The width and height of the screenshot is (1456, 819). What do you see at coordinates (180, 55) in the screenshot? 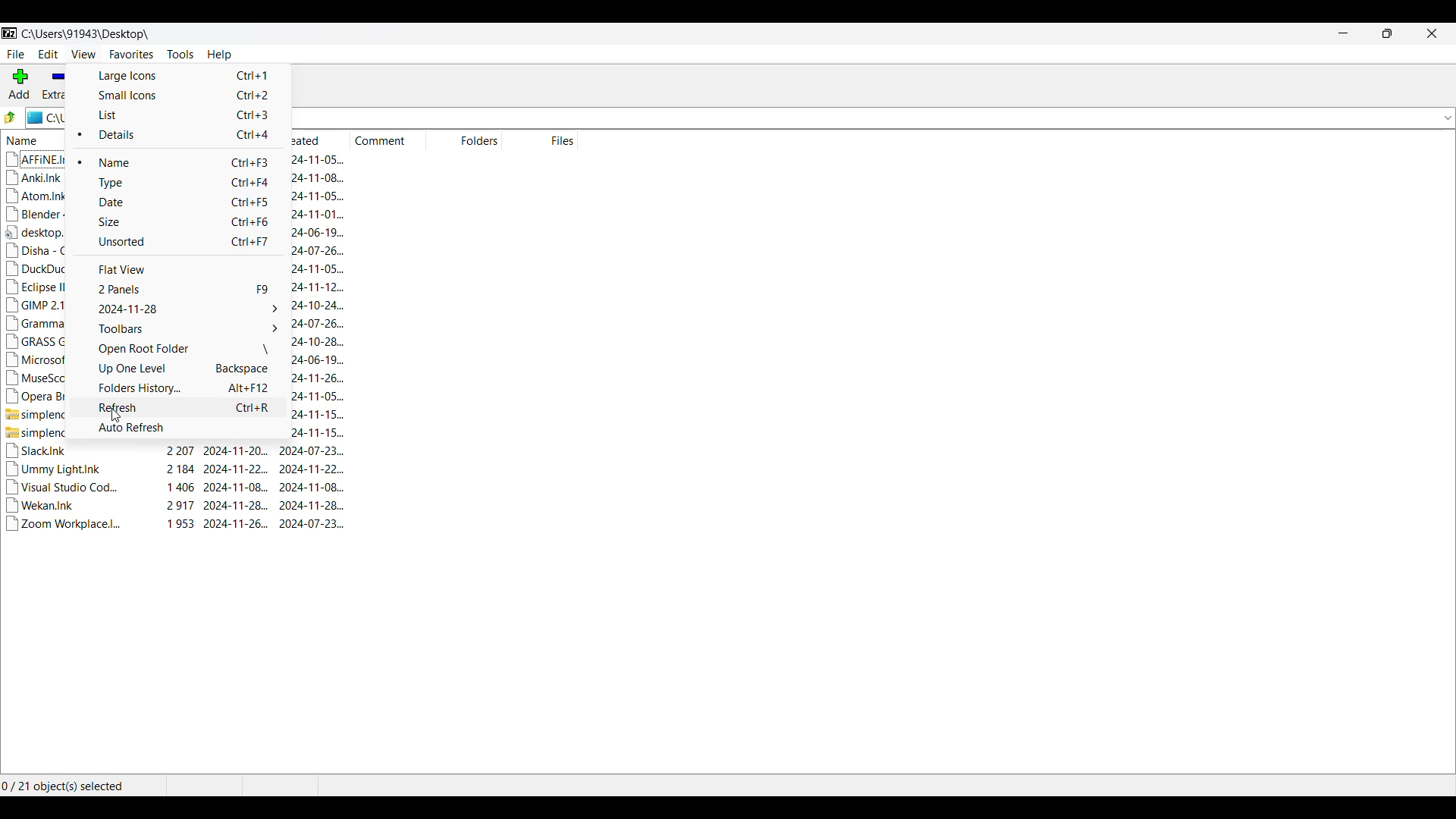
I see `Tools` at bounding box center [180, 55].